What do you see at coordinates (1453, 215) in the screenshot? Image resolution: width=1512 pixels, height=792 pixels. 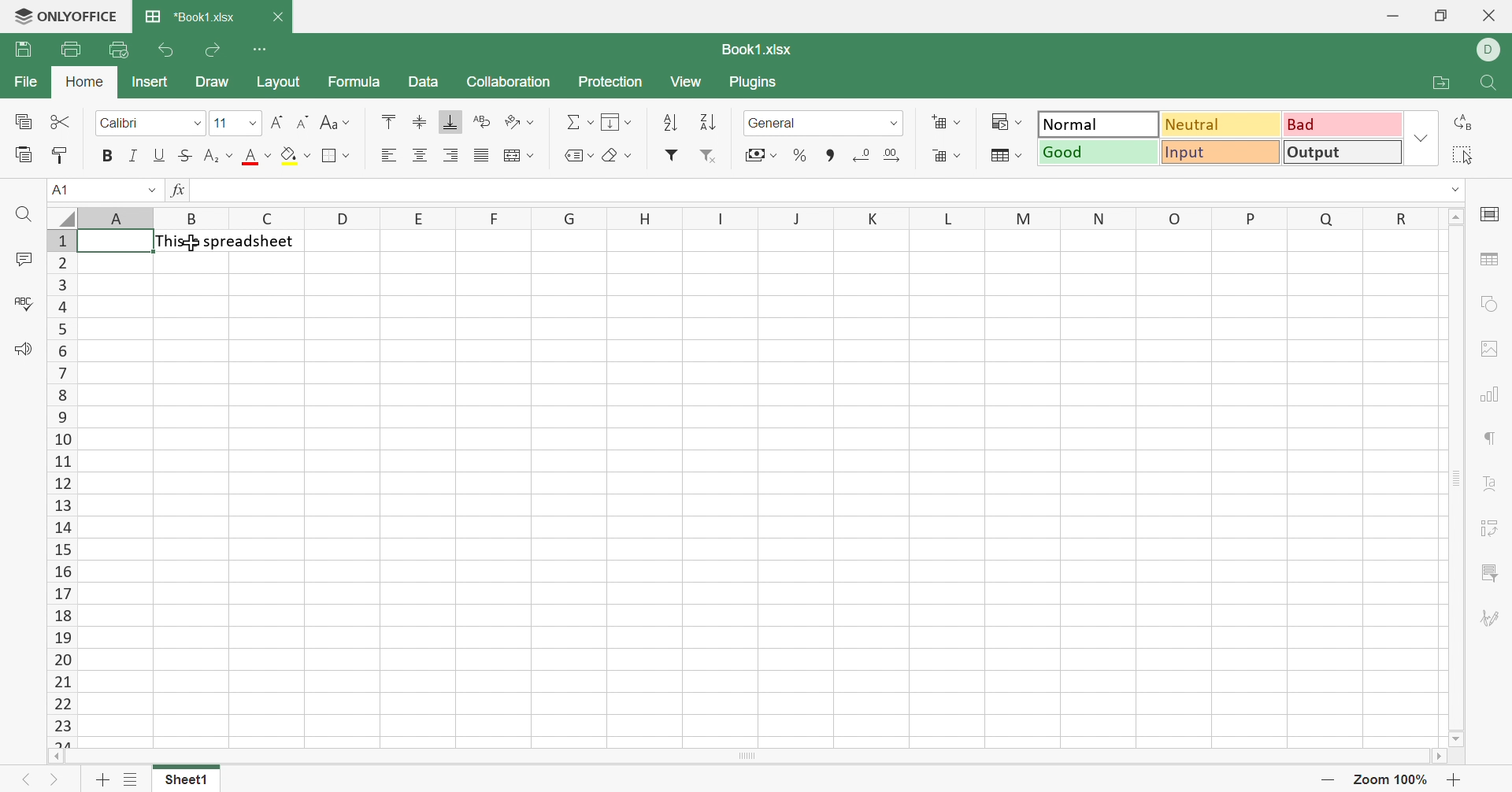 I see `Scroll Up` at bounding box center [1453, 215].